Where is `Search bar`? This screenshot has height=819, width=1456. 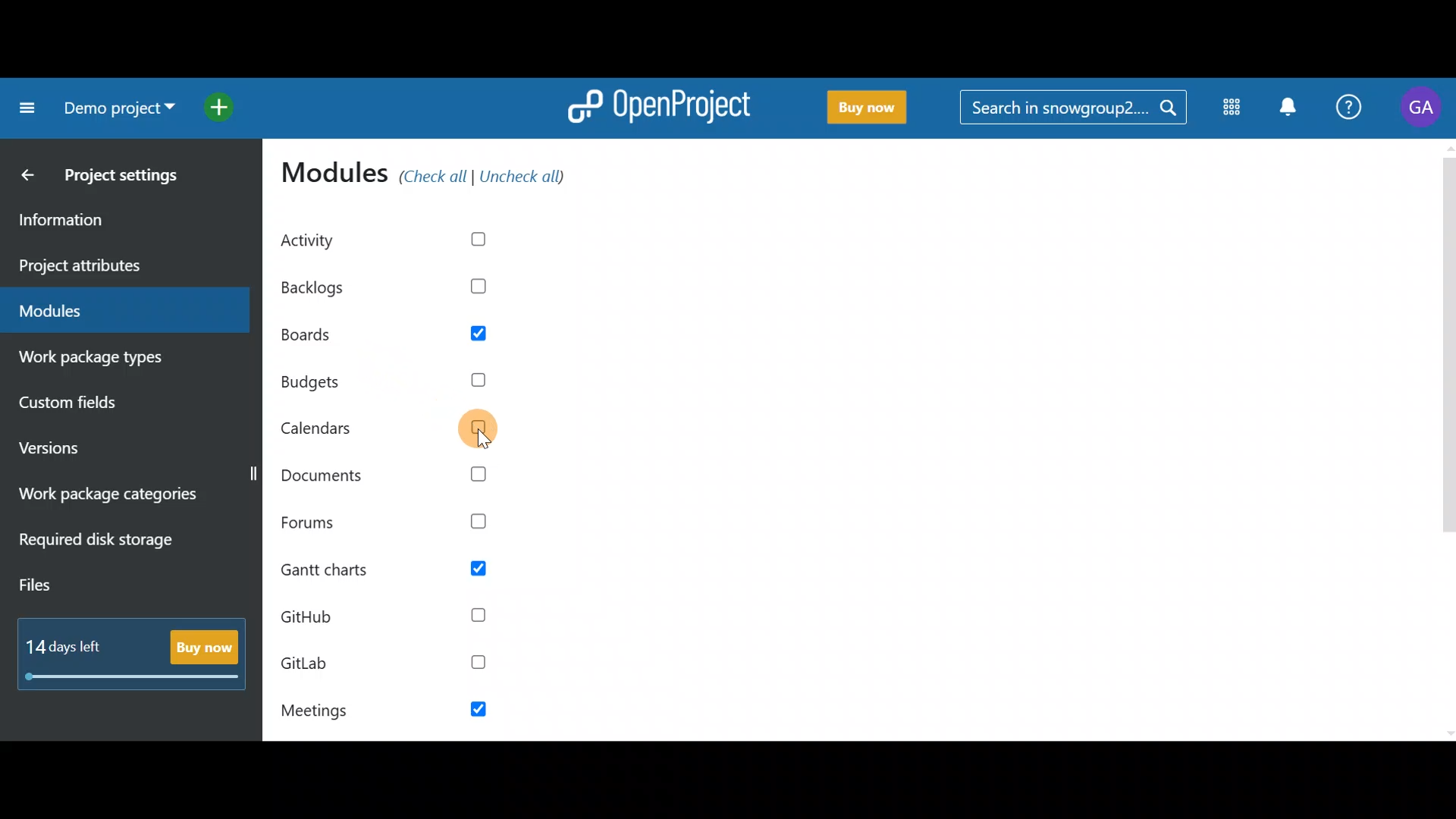
Search bar is located at coordinates (1072, 111).